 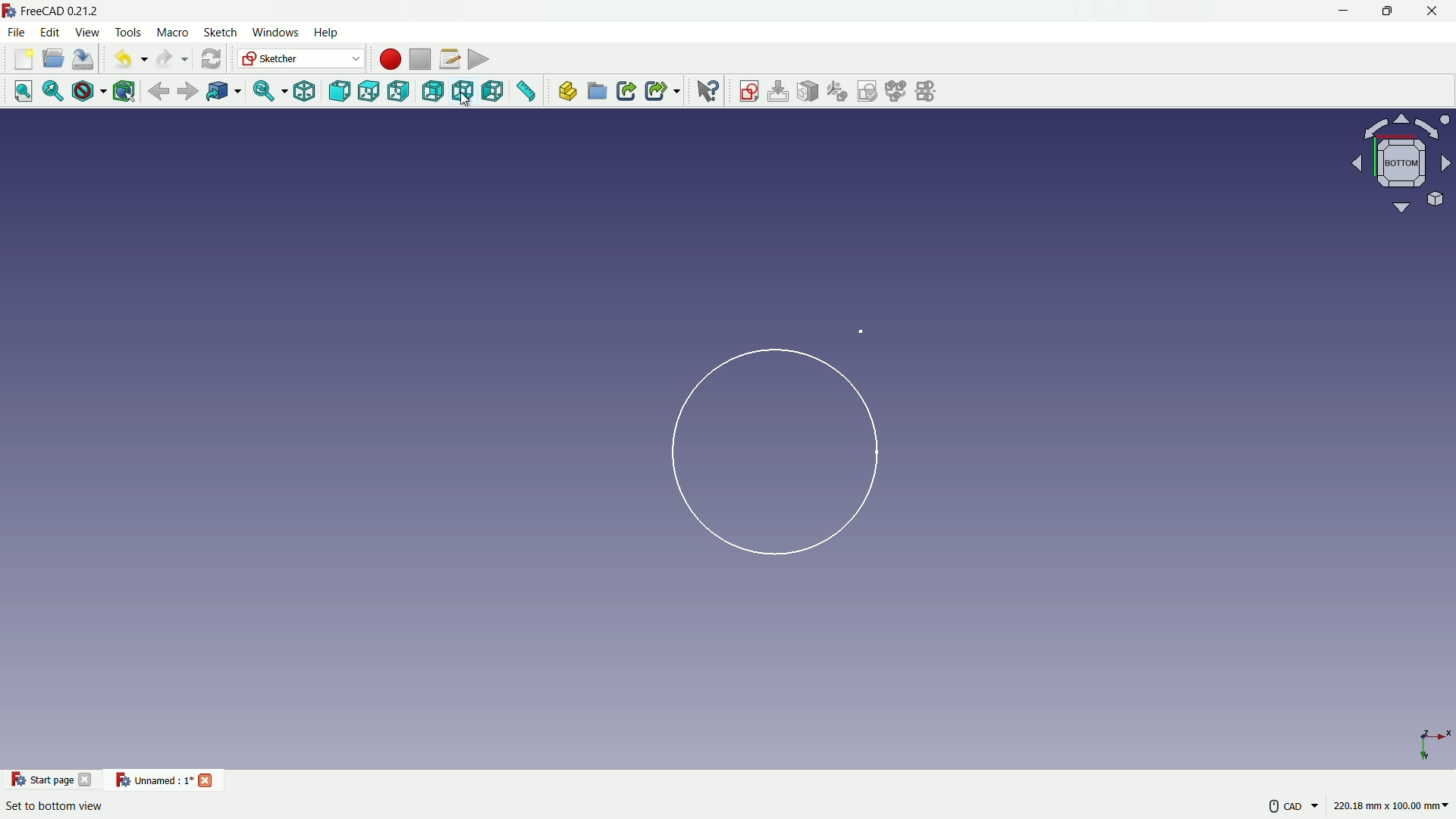 What do you see at coordinates (869, 92) in the screenshot?
I see `validate sketches` at bounding box center [869, 92].